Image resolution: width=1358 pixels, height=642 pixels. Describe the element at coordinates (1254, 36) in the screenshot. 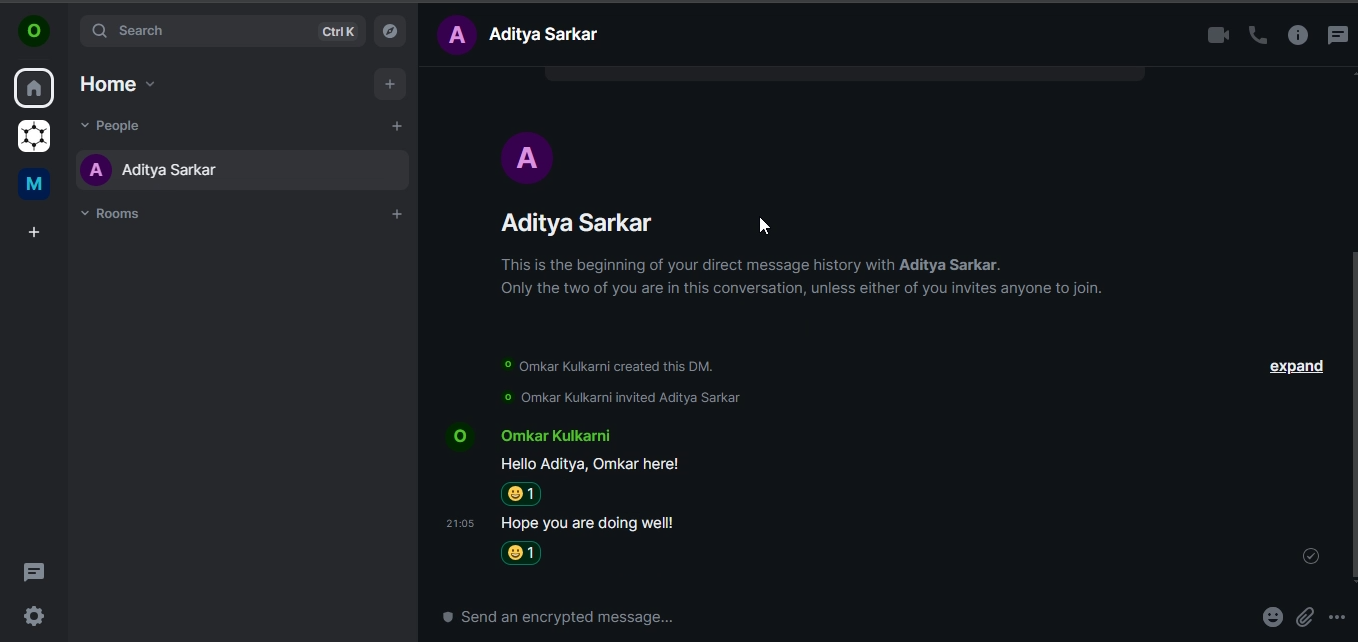

I see `voice call` at that location.